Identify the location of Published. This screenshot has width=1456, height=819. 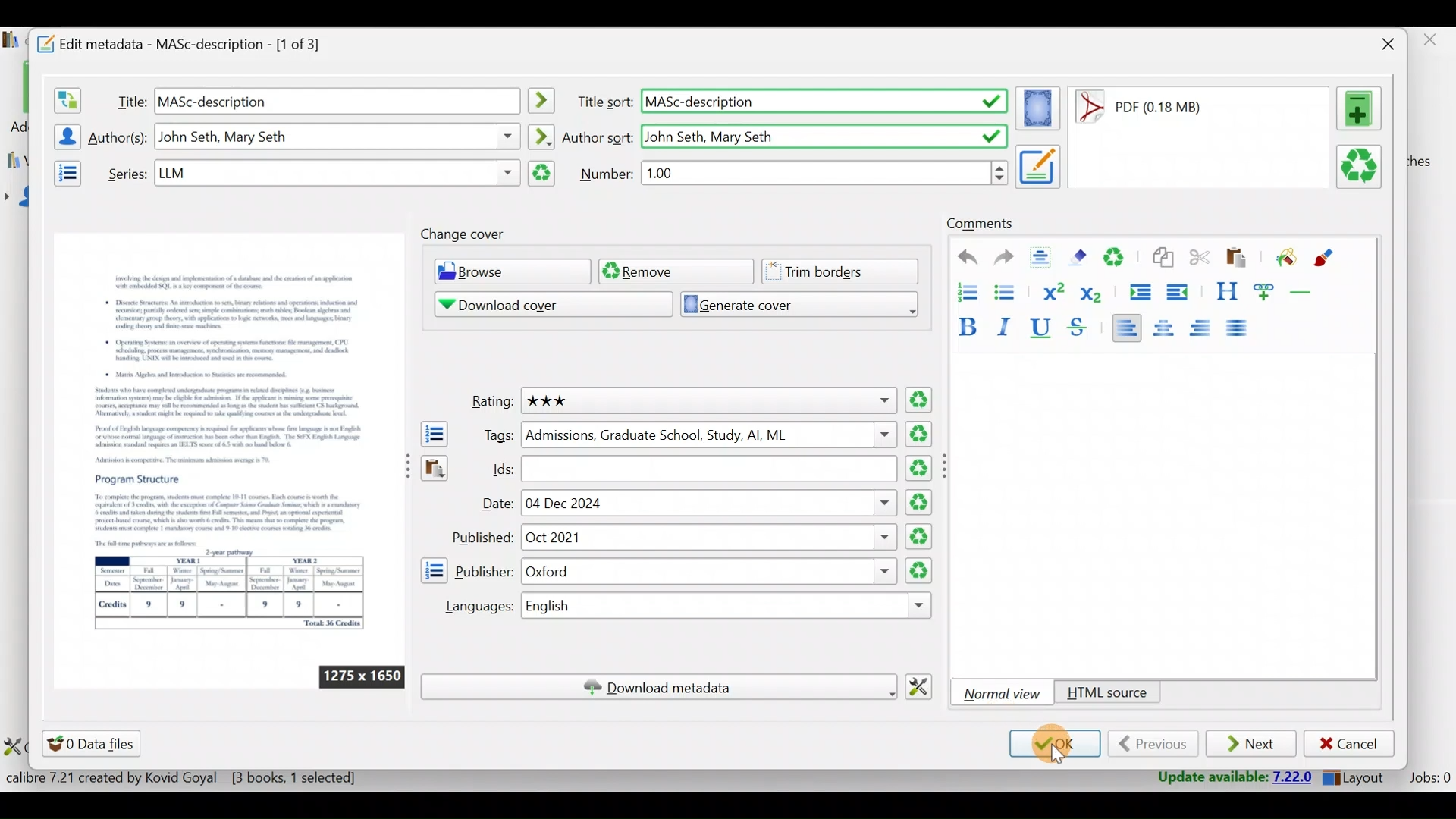
(481, 538).